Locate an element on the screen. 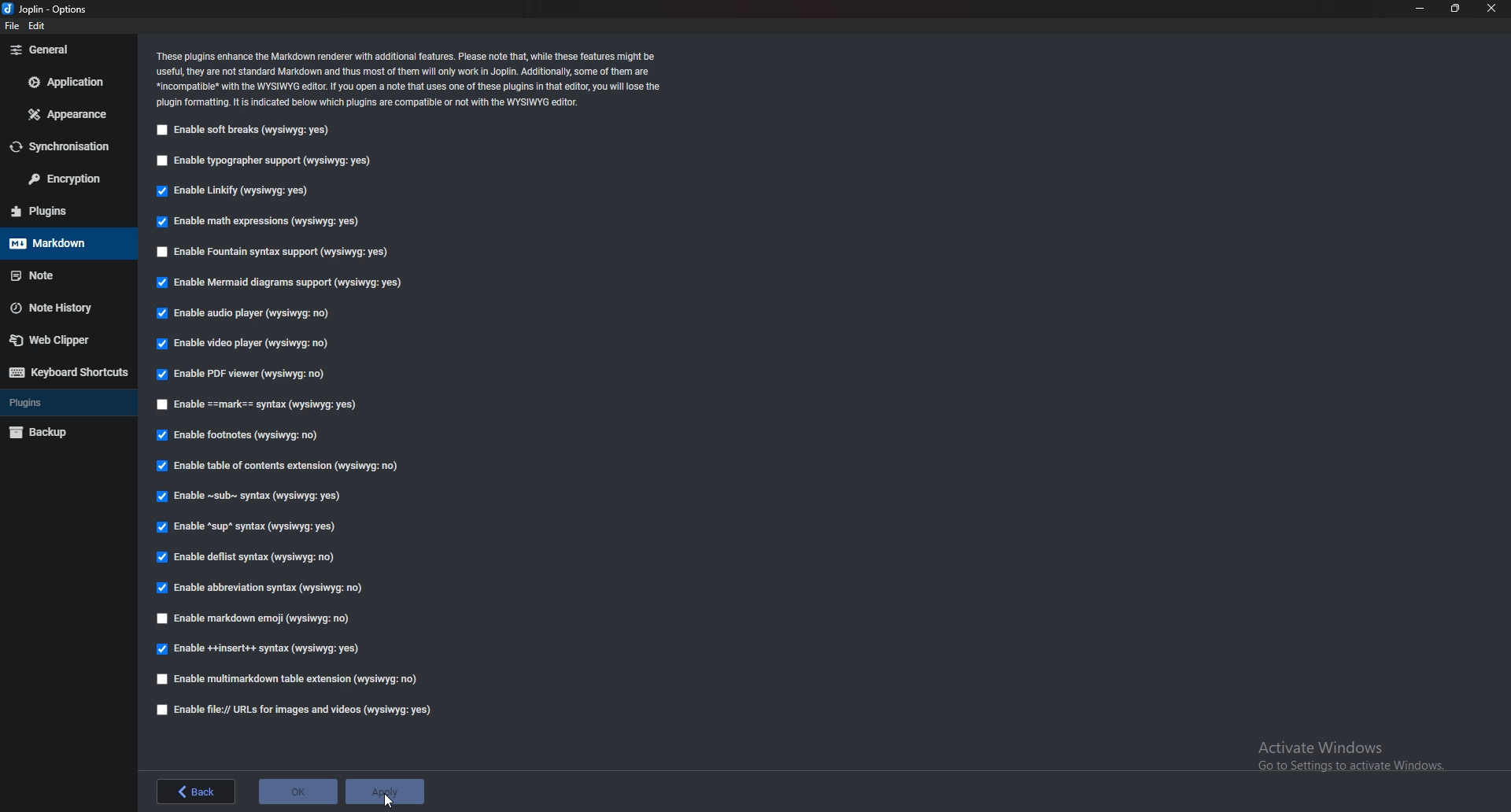  plugins is located at coordinates (67, 402).